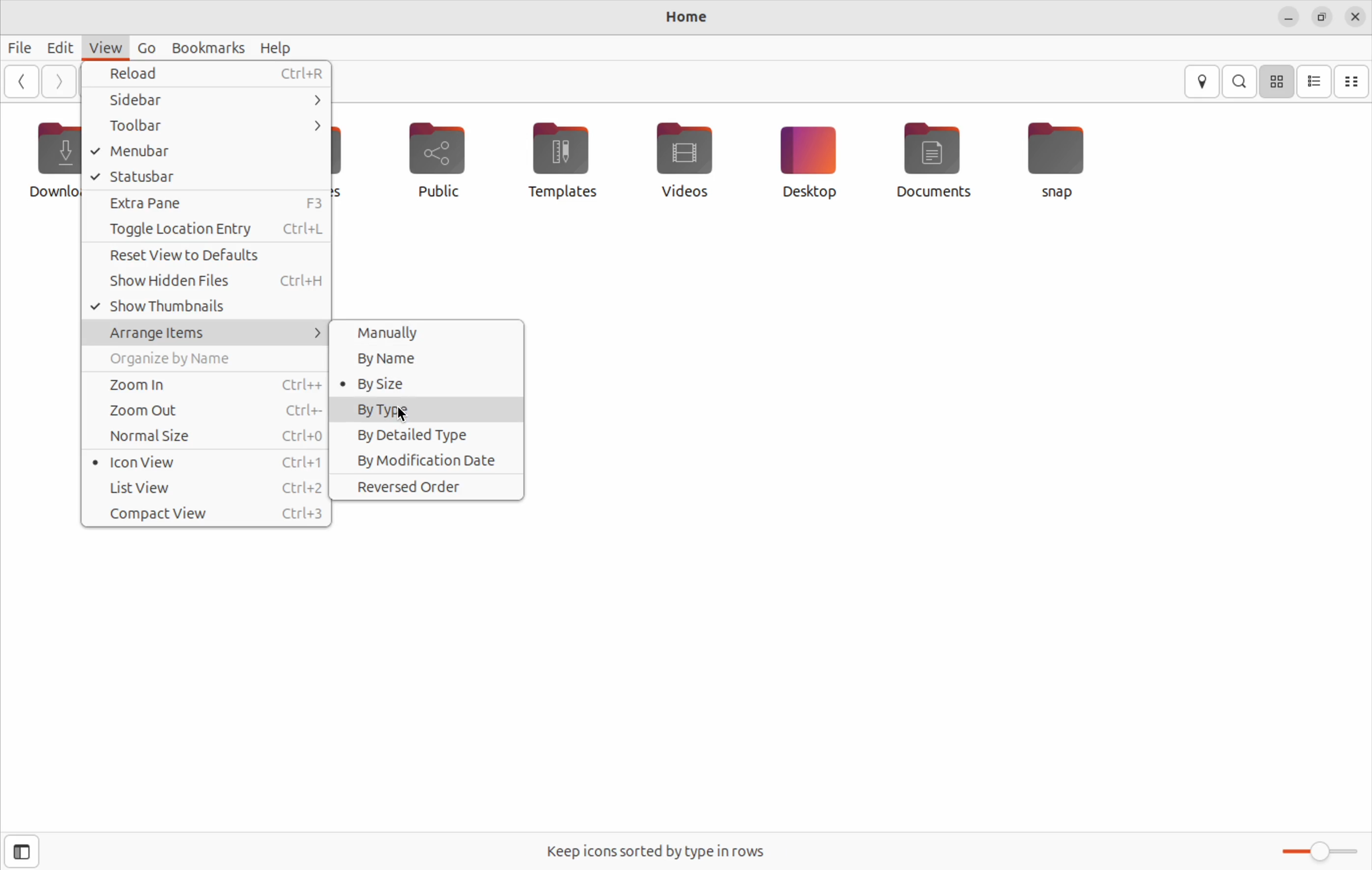 This screenshot has width=1372, height=870. What do you see at coordinates (1284, 16) in the screenshot?
I see `minimize` at bounding box center [1284, 16].